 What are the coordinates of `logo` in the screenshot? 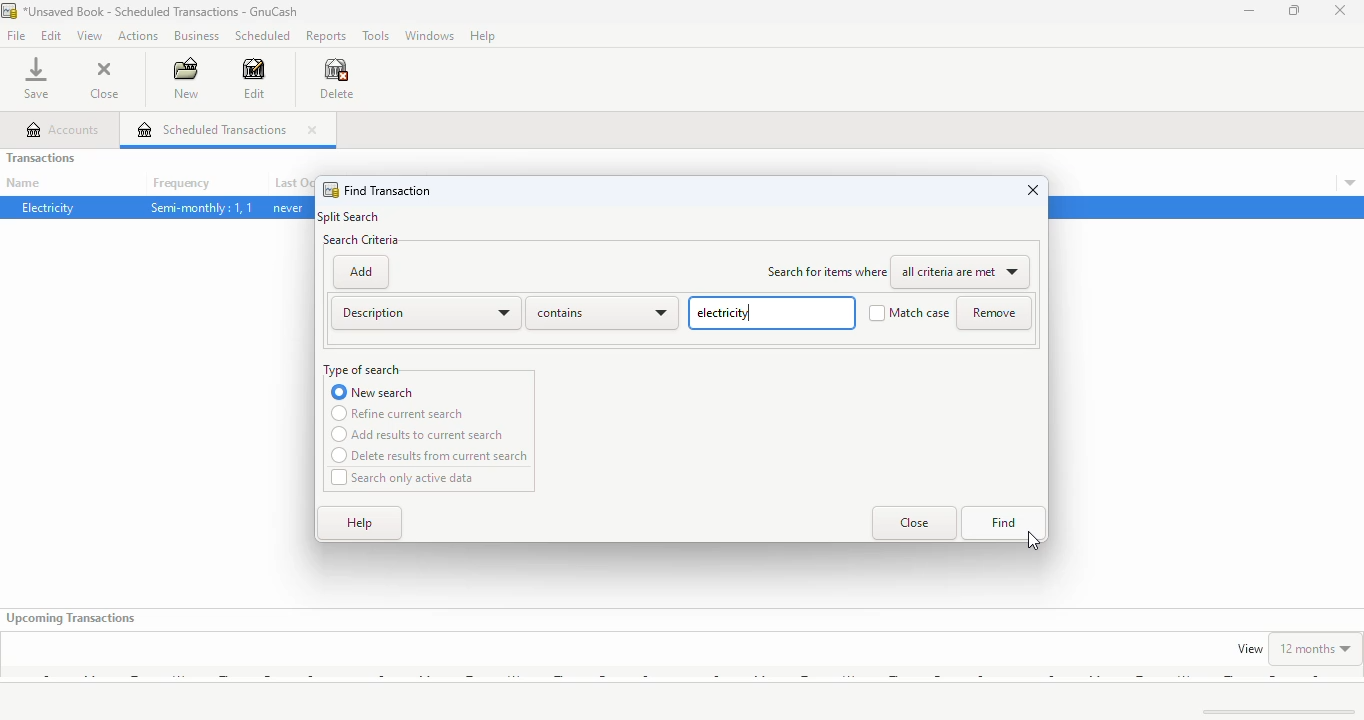 It's located at (9, 11).